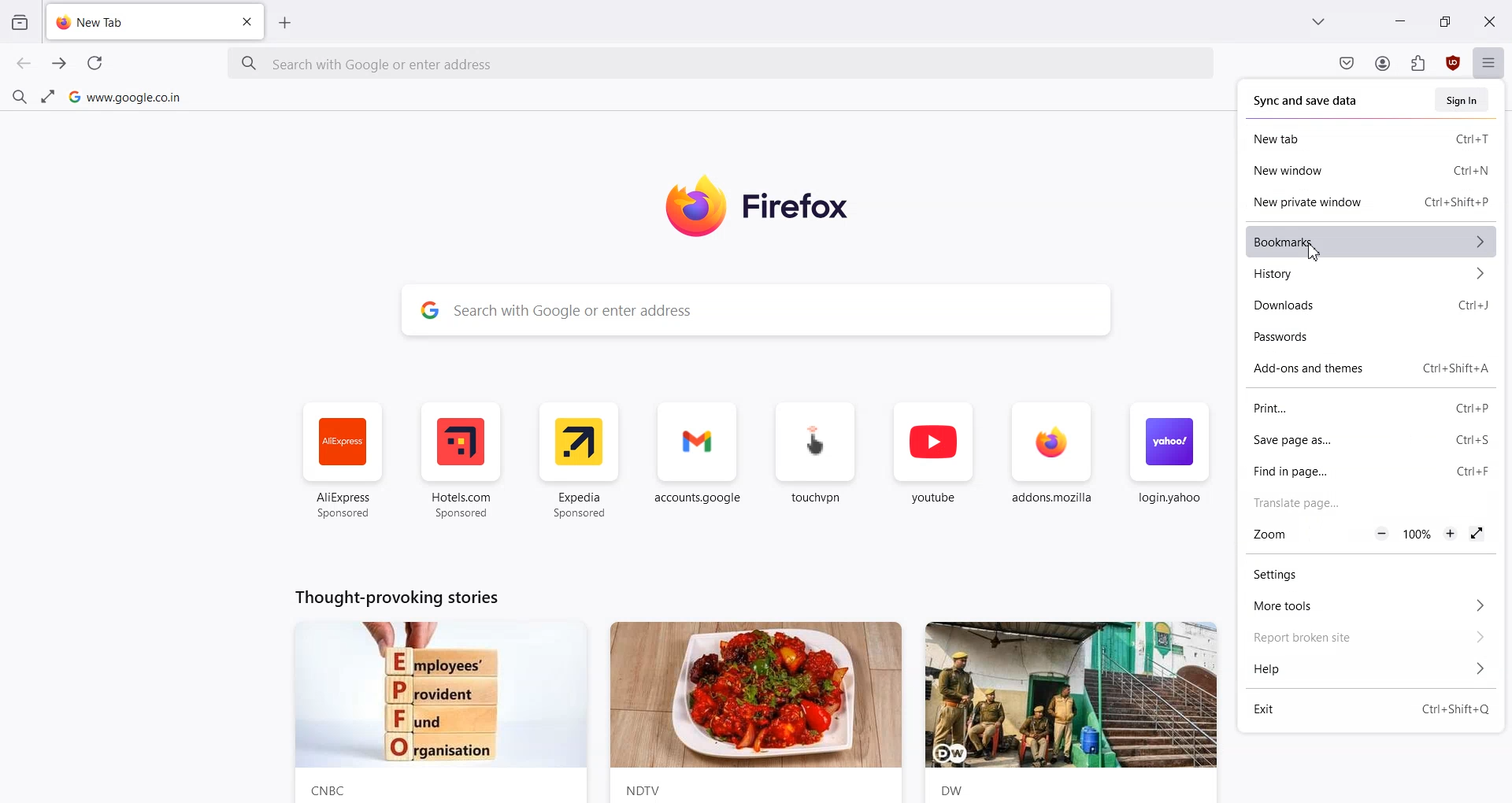 The width and height of the screenshot is (1512, 803). Describe the element at coordinates (699, 461) in the screenshot. I see `account.google` at that location.